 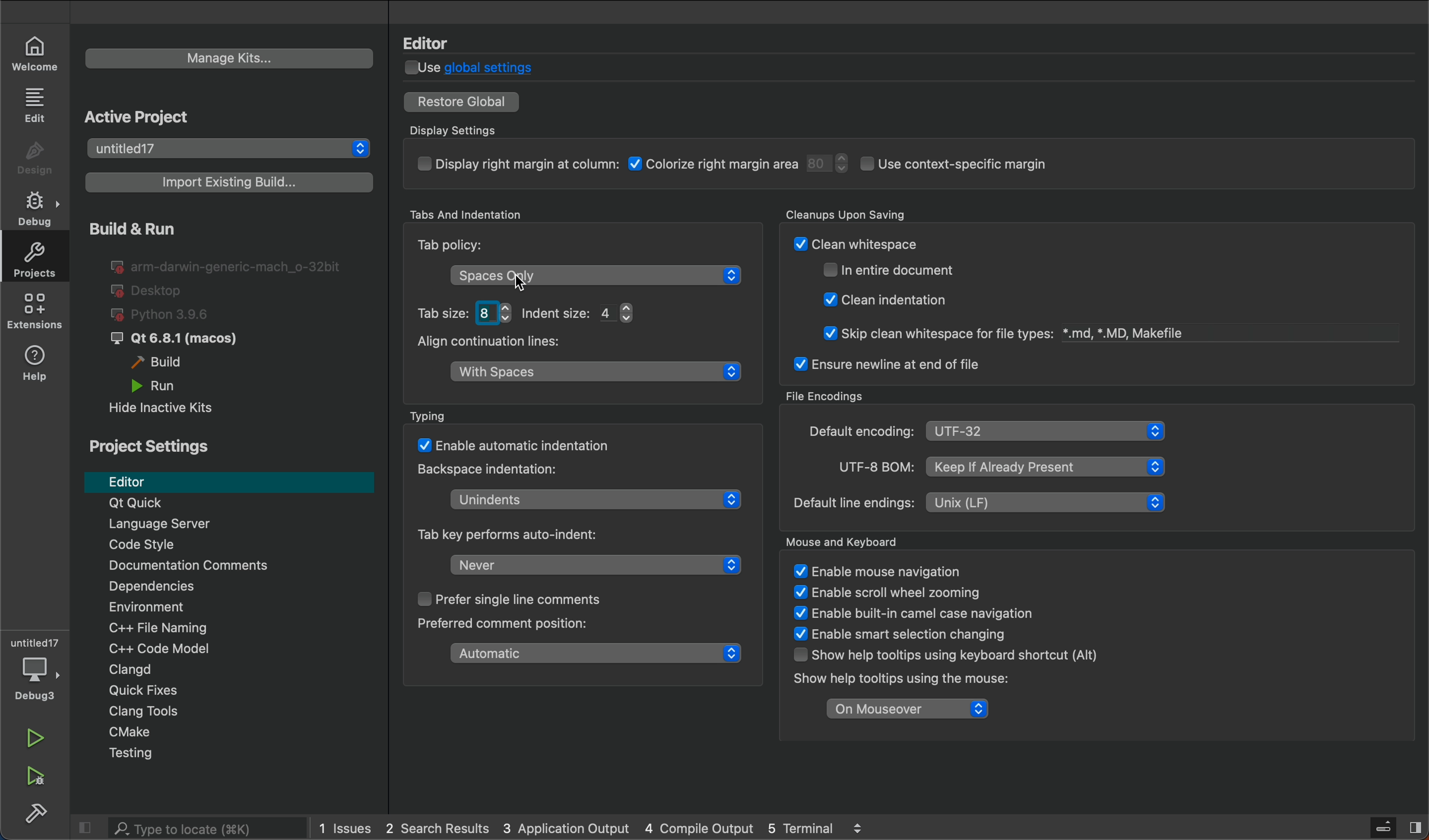 What do you see at coordinates (238, 712) in the screenshot?
I see `Clang tools` at bounding box center [238, 712].